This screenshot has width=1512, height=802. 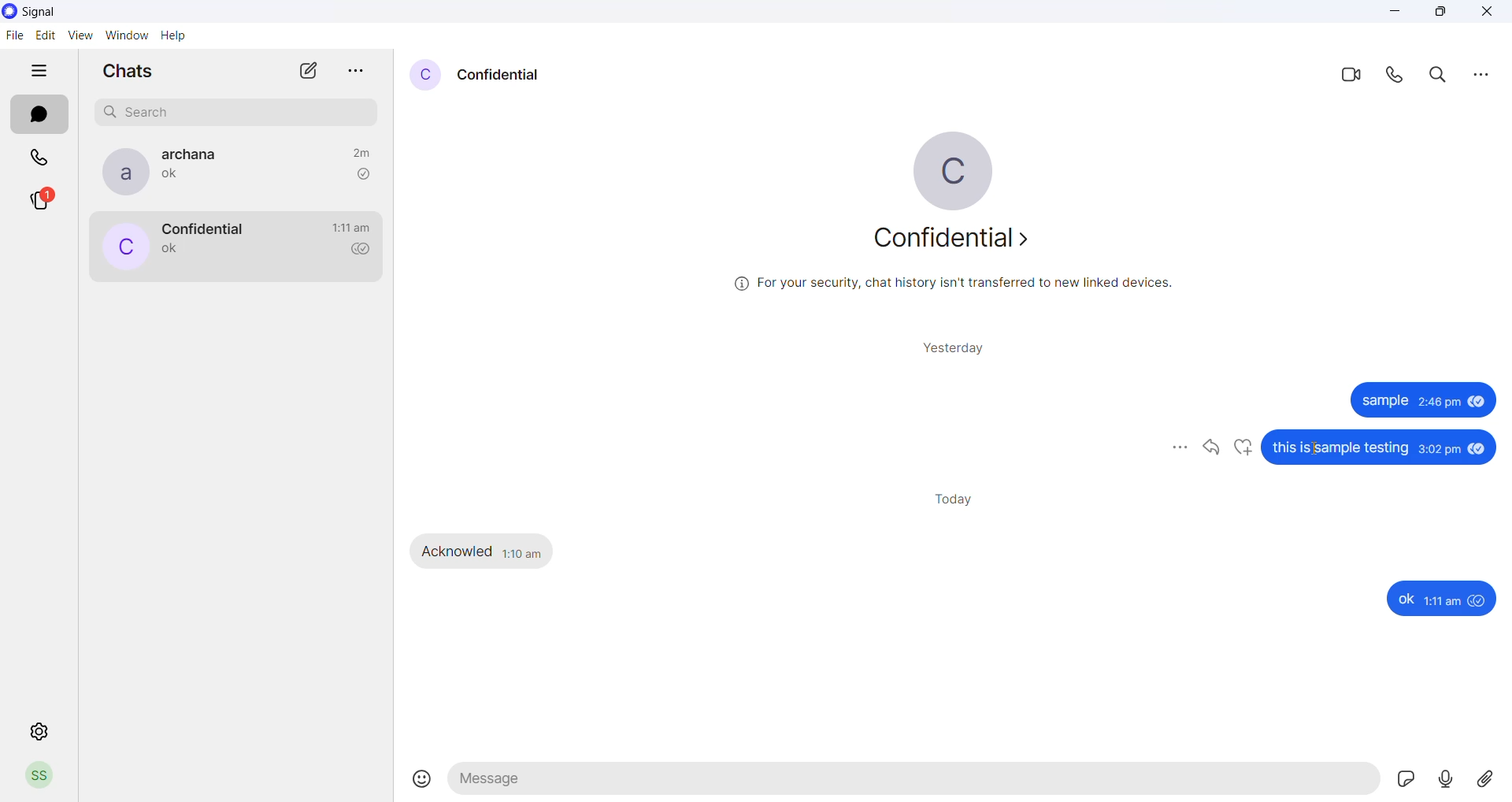 I want to click on emojis, so click(x=423, y=780).